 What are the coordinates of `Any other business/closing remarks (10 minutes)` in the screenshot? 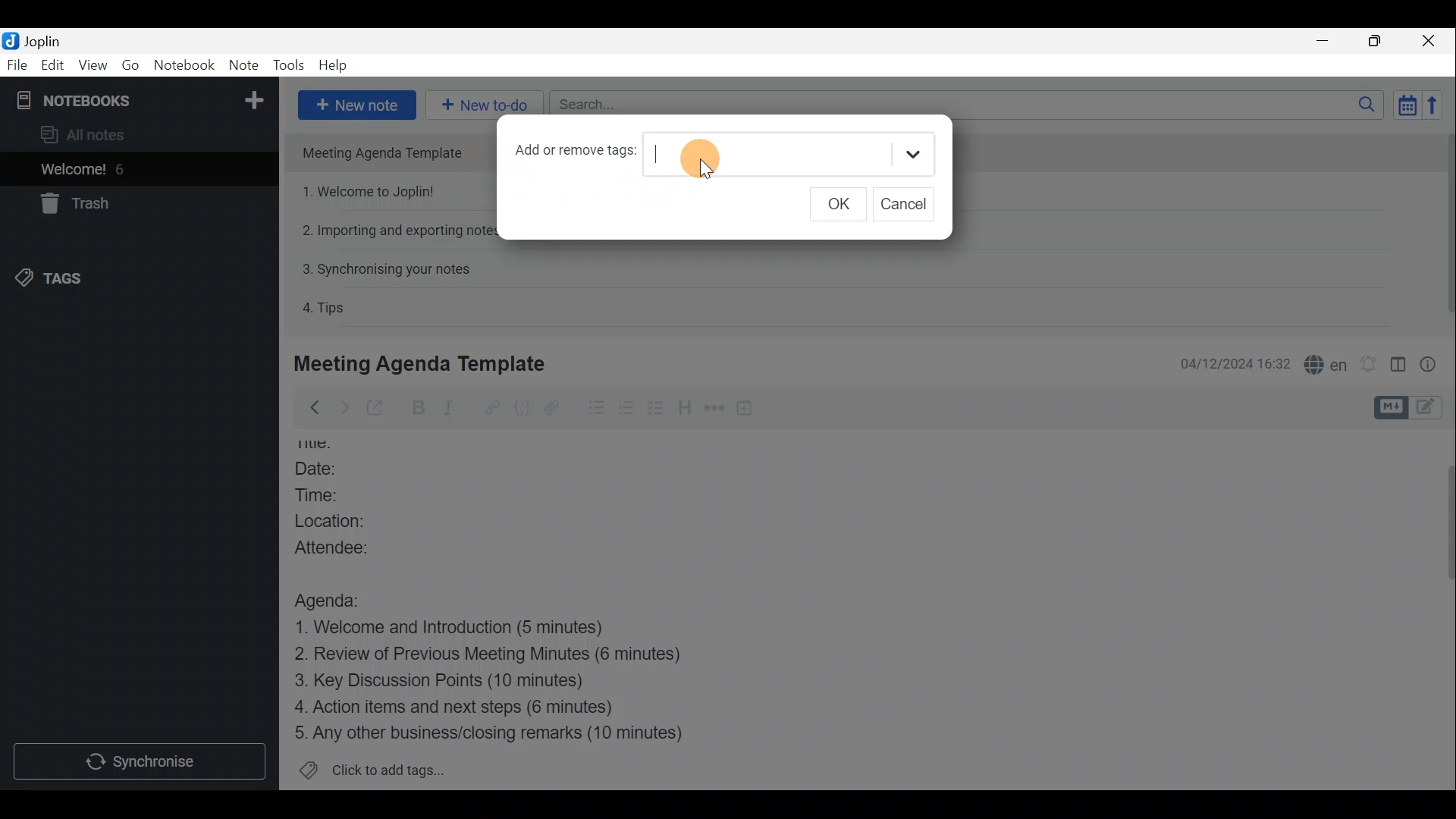 It's located at (494, 732).